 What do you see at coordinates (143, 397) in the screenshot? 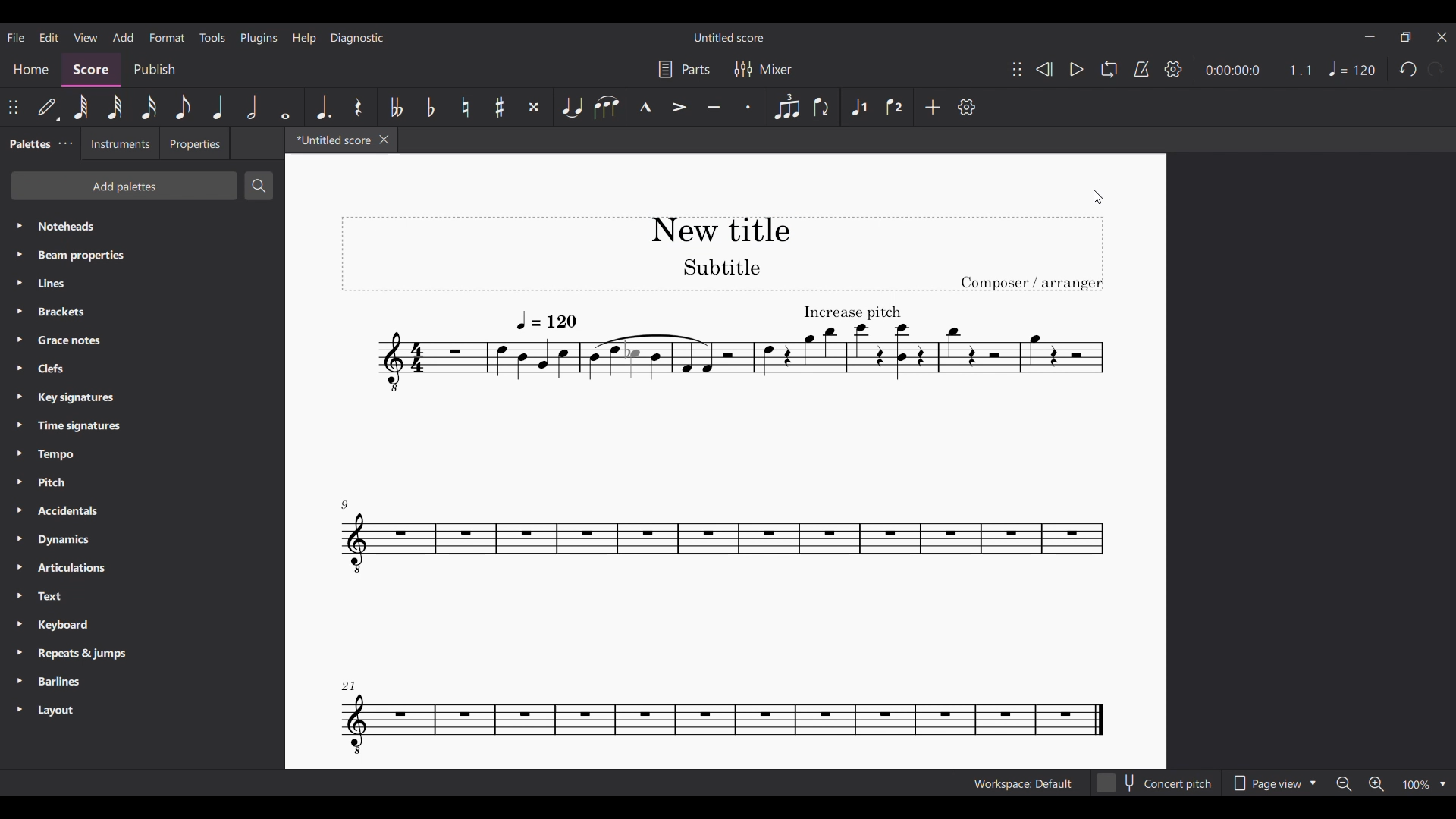
I see `Key signatures` at bounding box center [143, 397].